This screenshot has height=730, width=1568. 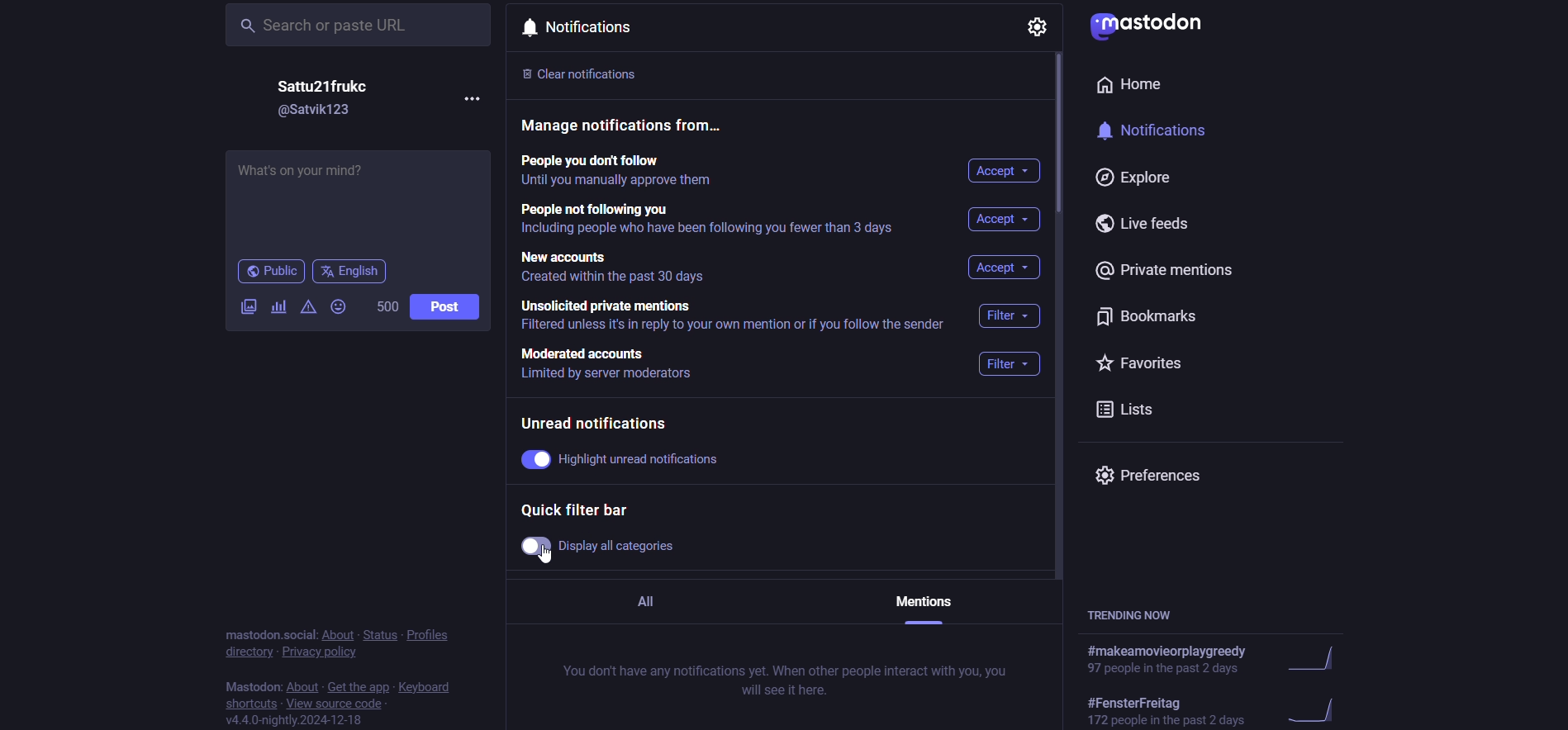 What do you see at coordinates (595, 72) in the screenshot?
I see `Clear notifications` at bounding box center [595, 72].